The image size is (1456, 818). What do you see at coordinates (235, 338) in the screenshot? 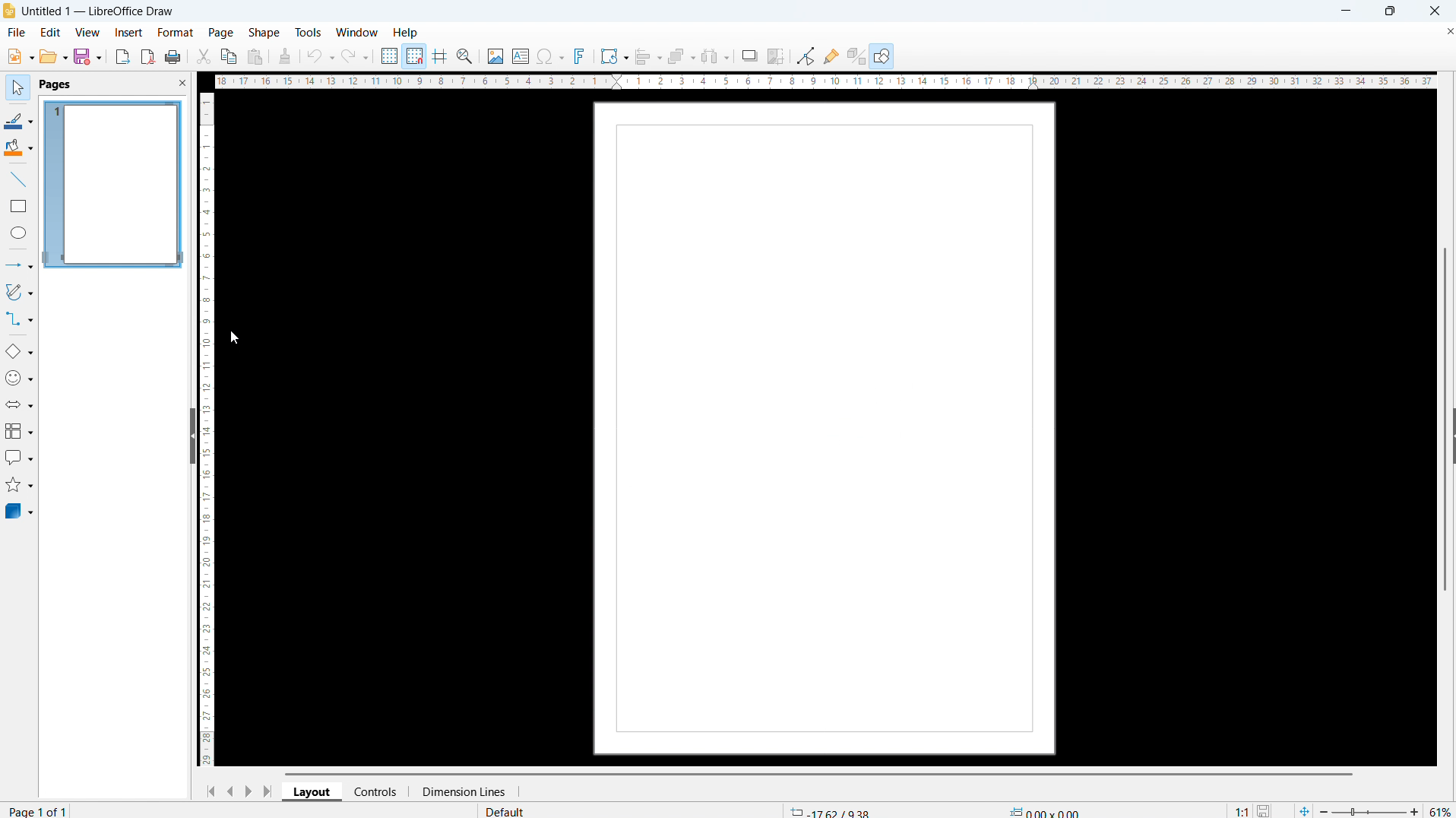
I see `cursor` at bounding box center [235, 338].